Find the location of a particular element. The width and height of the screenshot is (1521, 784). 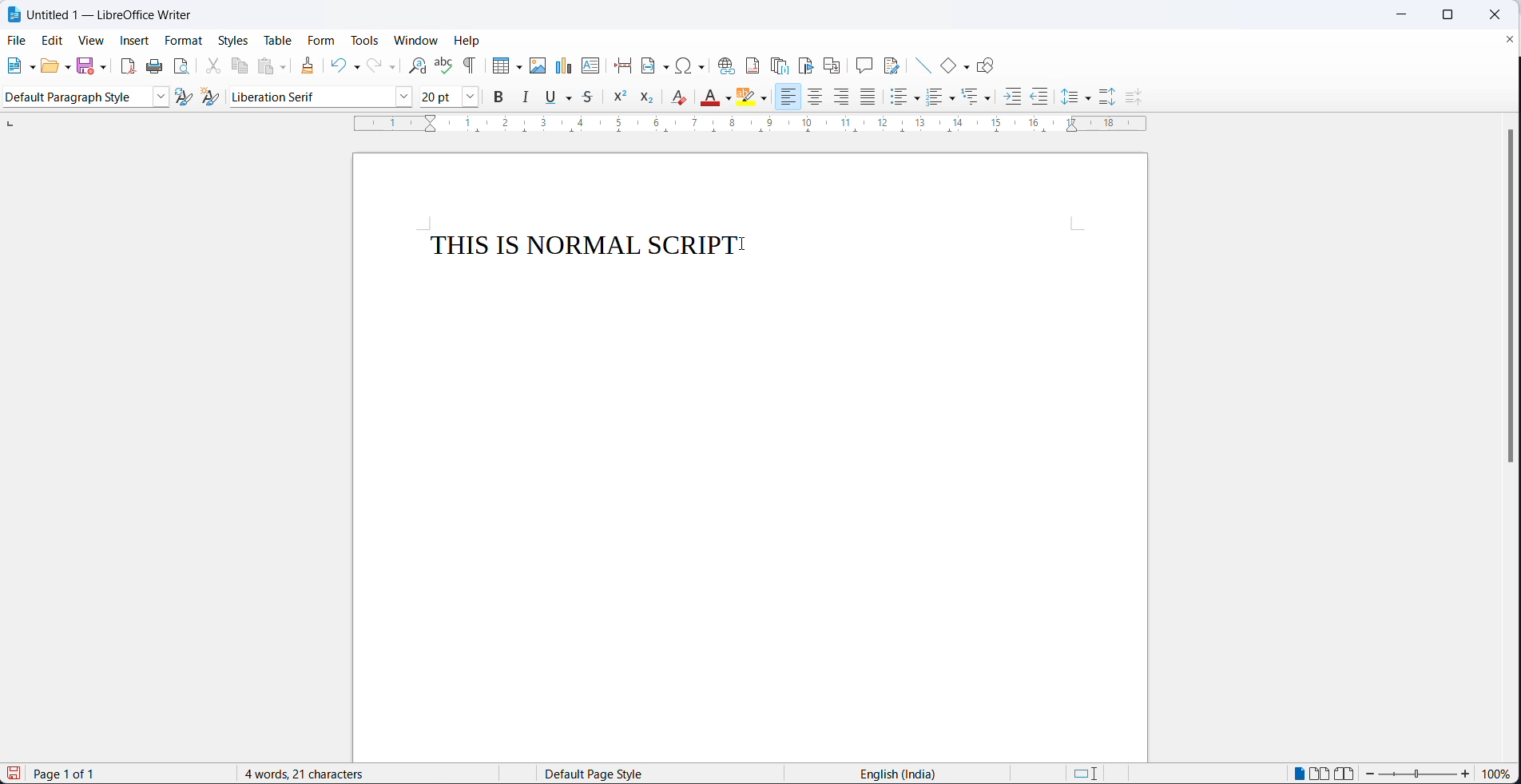

italic is located at coordinates (524, 97).